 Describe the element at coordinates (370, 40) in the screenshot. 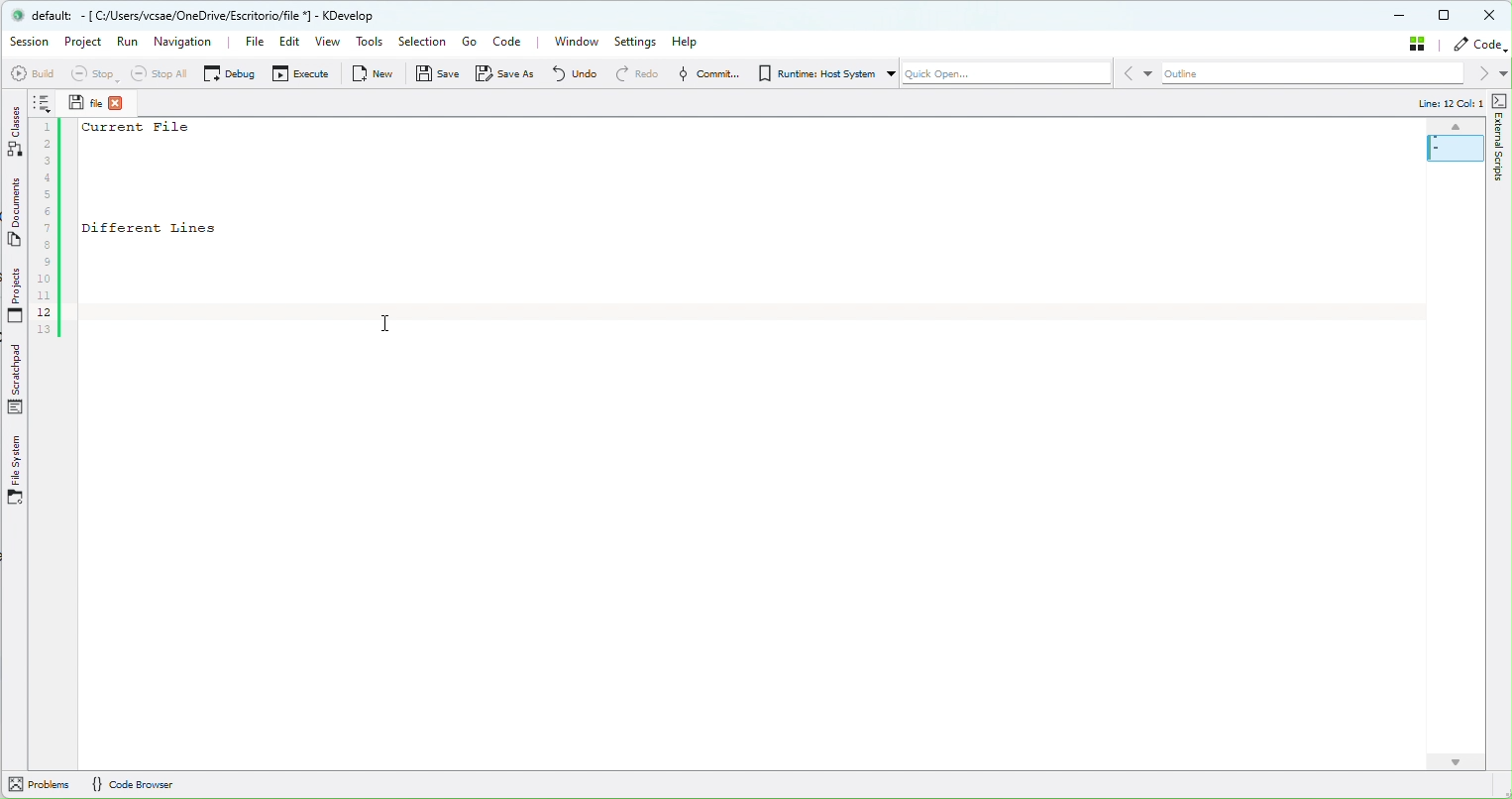

I see `Tools` at that location.